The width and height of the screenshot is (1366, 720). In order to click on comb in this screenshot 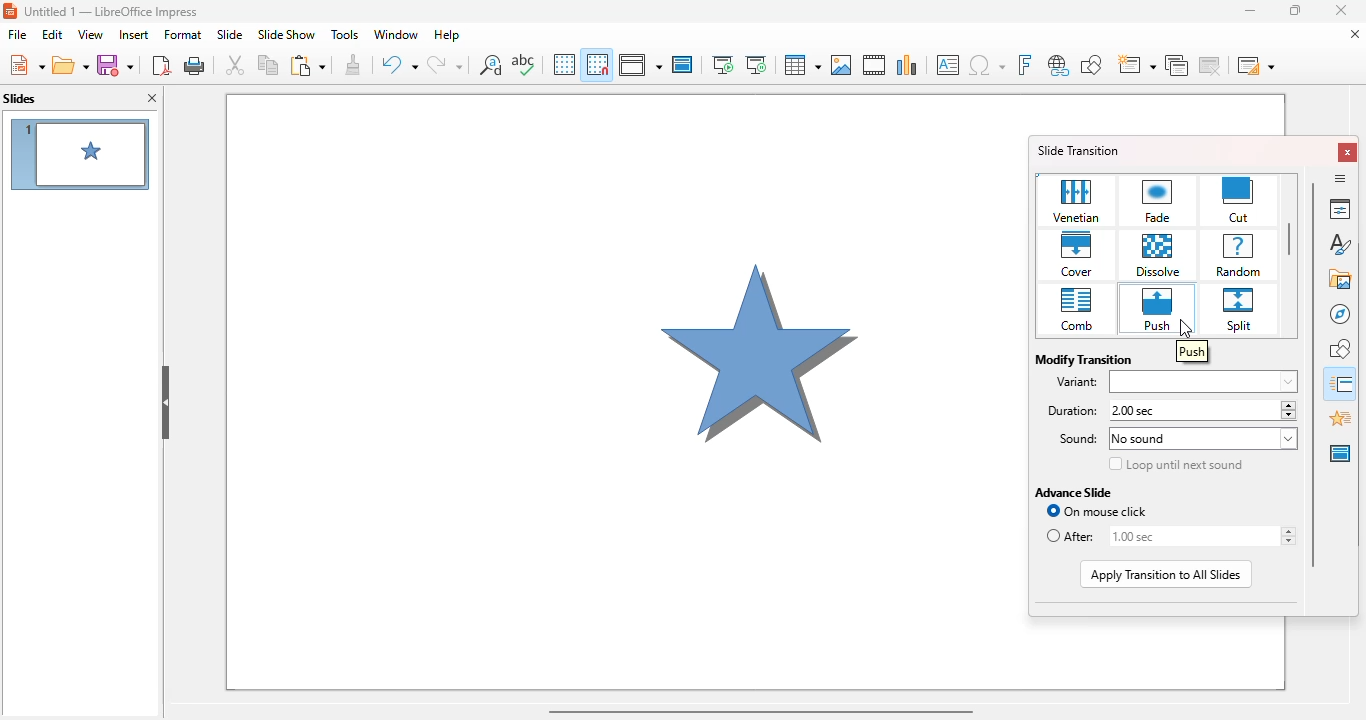, I will do `click(1076, 310)`.